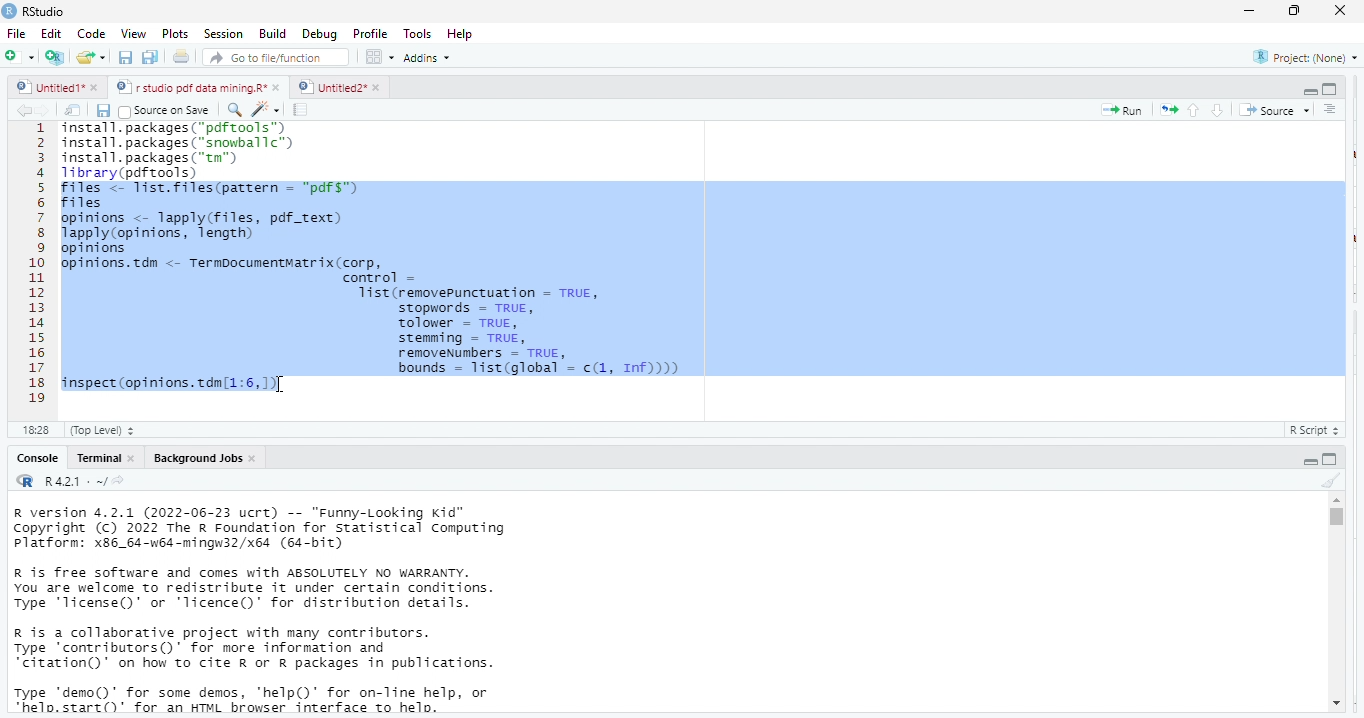 The image size is (1364, 718). What do you see at coordinates (132, 458) in the screenshot?
I see `close` at bounding box center [132, 458].